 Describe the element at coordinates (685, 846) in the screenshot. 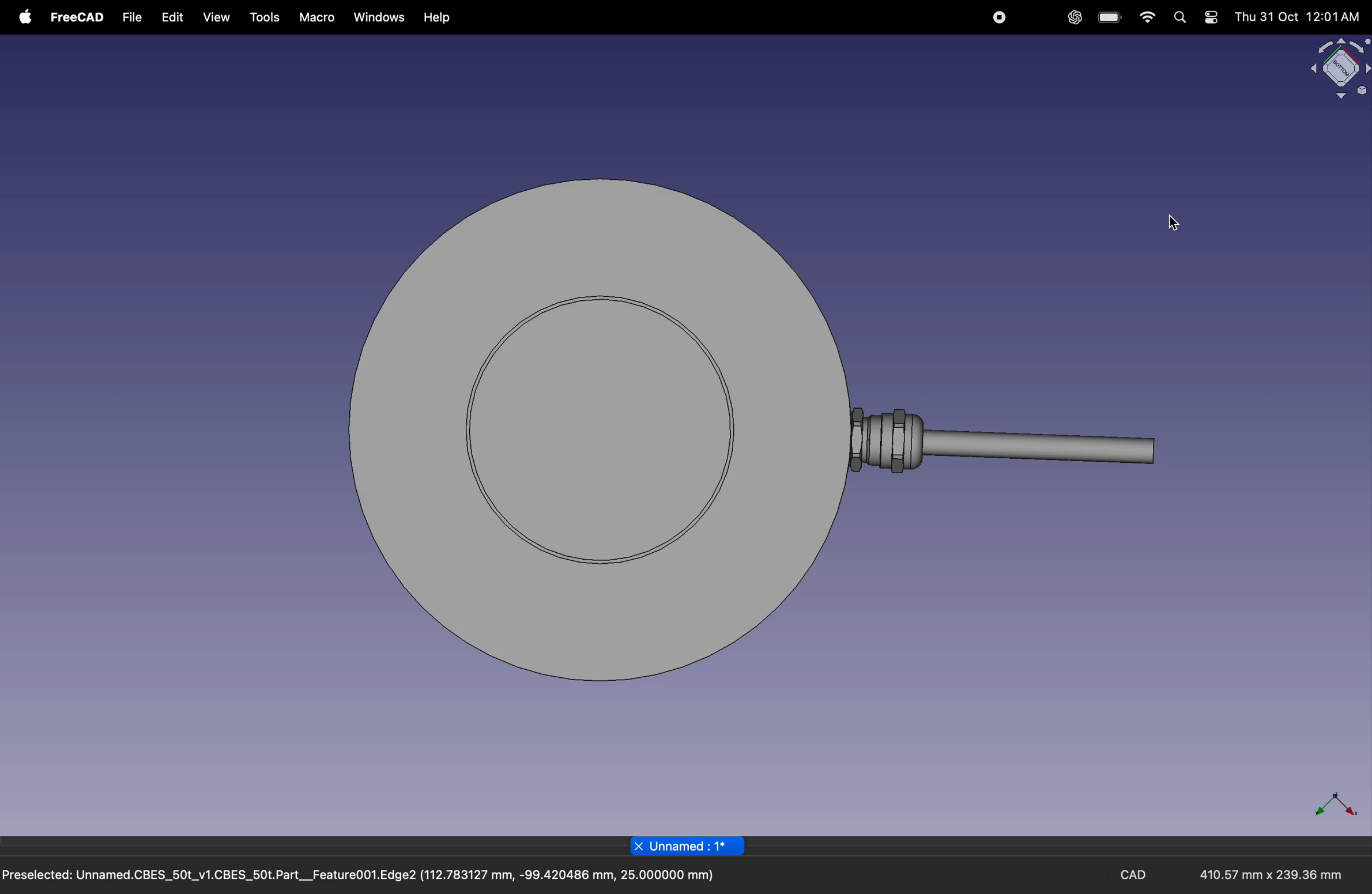

I see `Unnamed` at that location.